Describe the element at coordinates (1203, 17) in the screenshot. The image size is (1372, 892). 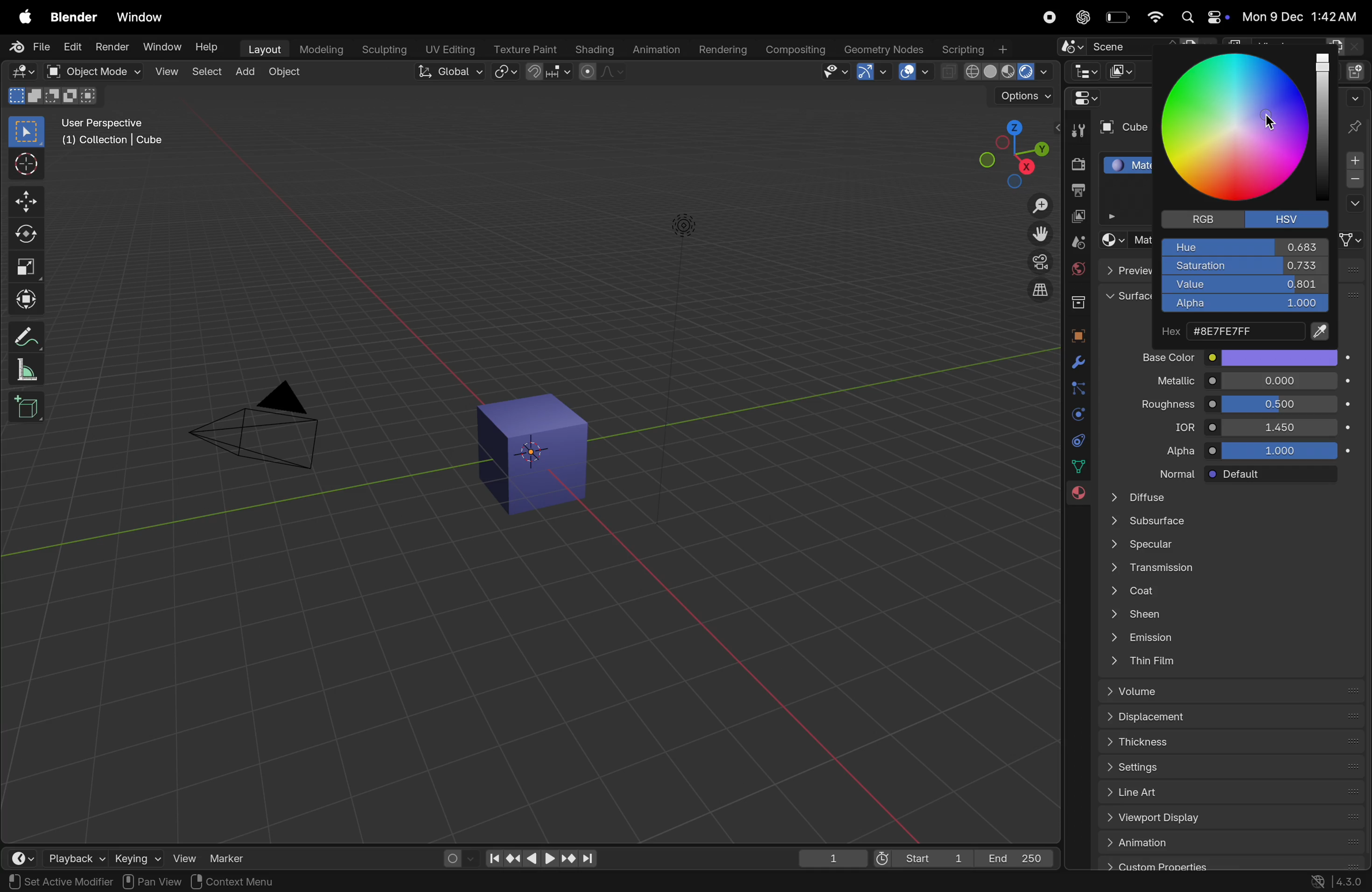
I see `apple widgets` at that location.